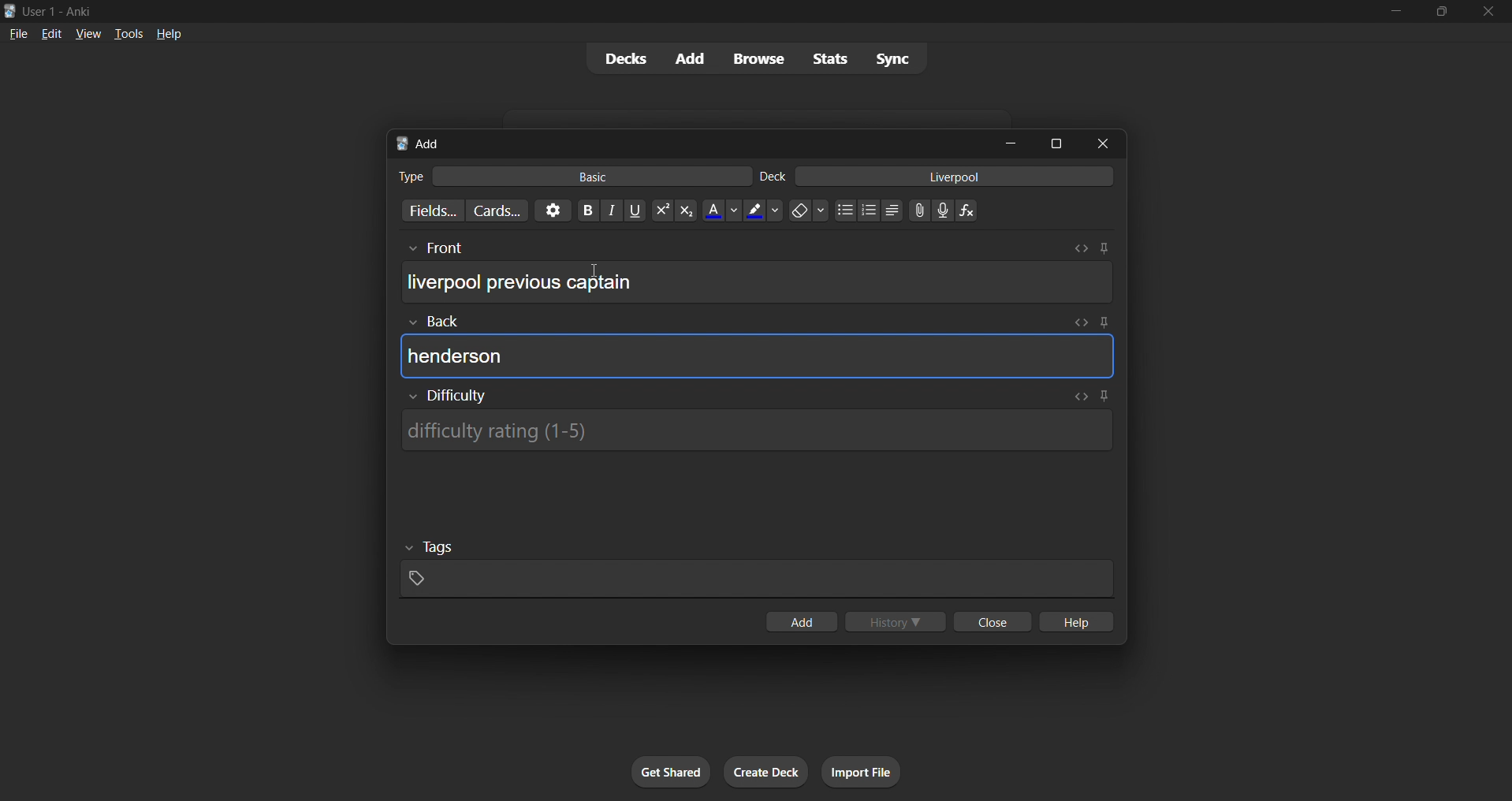 The width and height of the screenshot is (1512, 801). Describe the element at coordinates (637, 210) in the screenshot. I see `underline` at that location.